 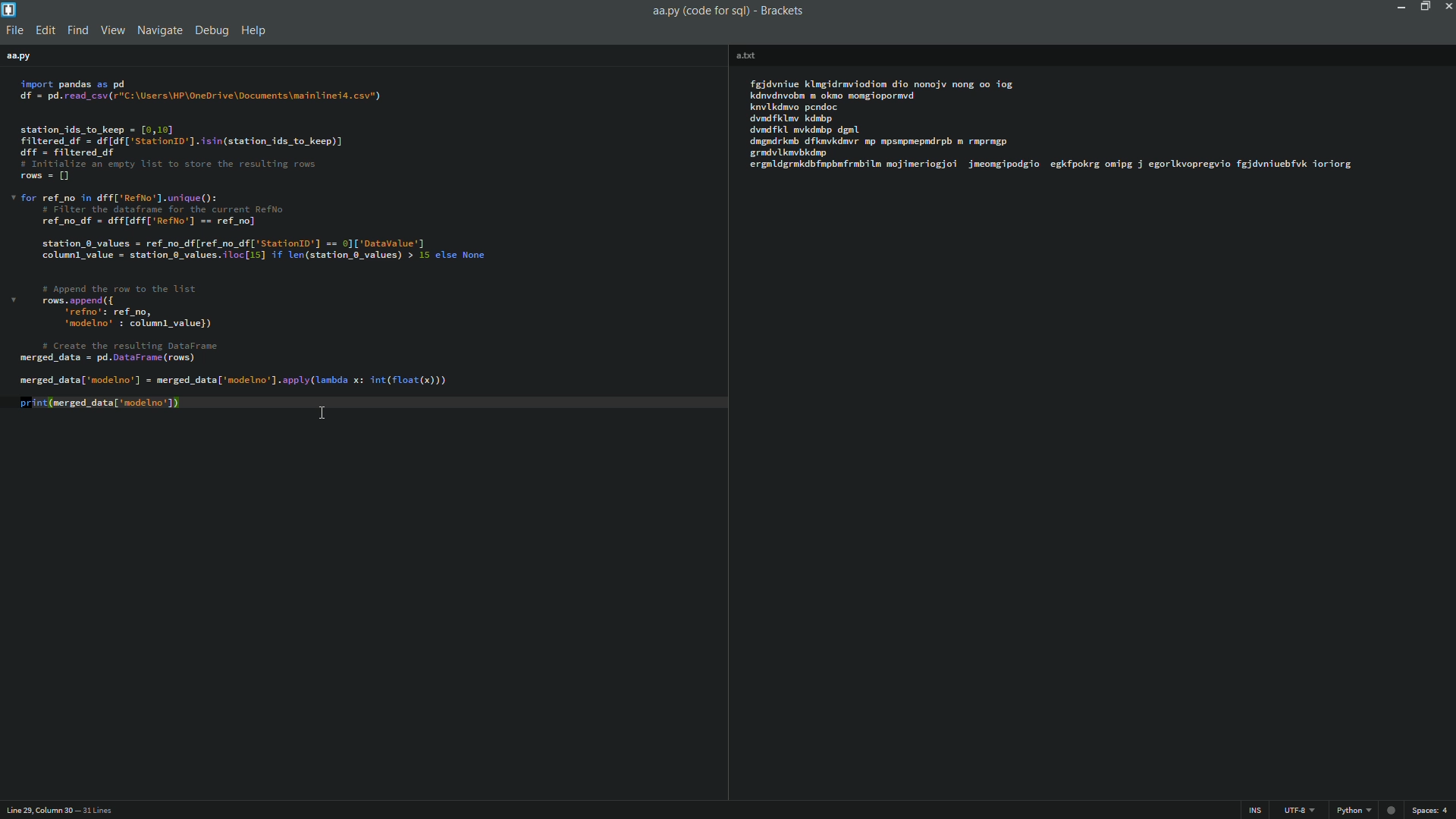 I want to click on maximize, so click(x=1425, y=7).